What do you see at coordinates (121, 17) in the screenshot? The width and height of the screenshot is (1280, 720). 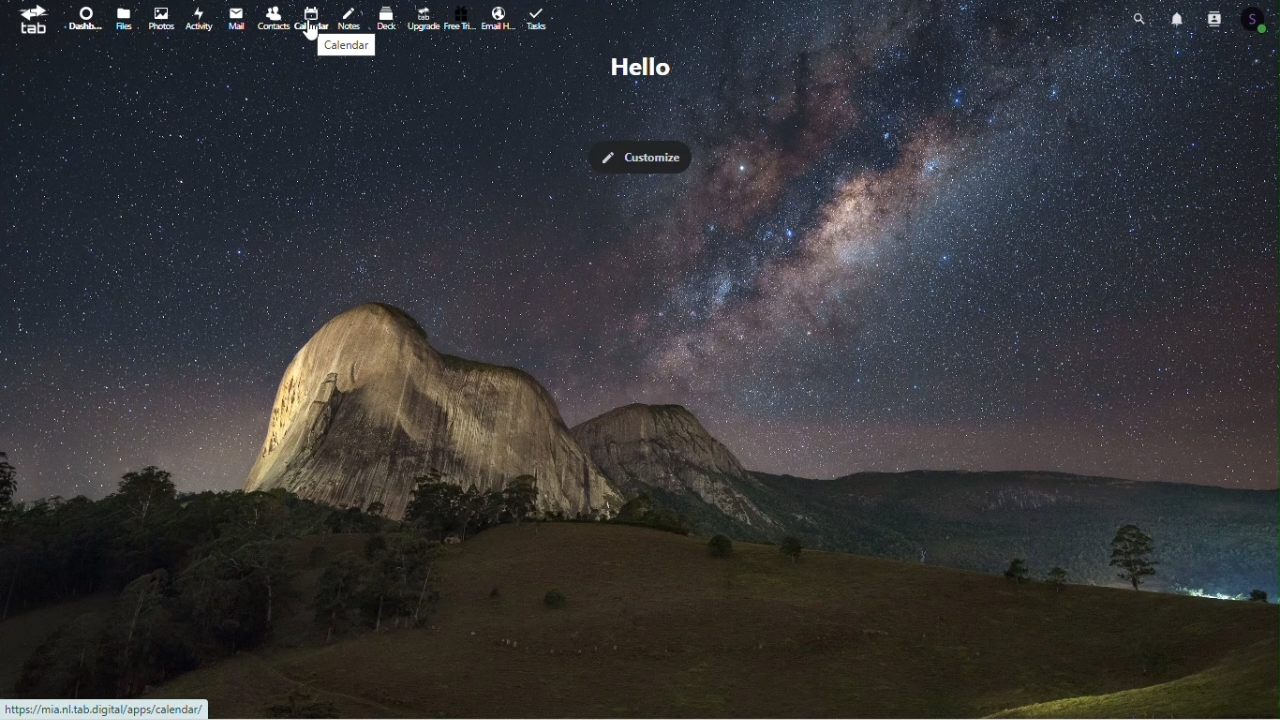 I see `files` at bounding box center [121, 17].